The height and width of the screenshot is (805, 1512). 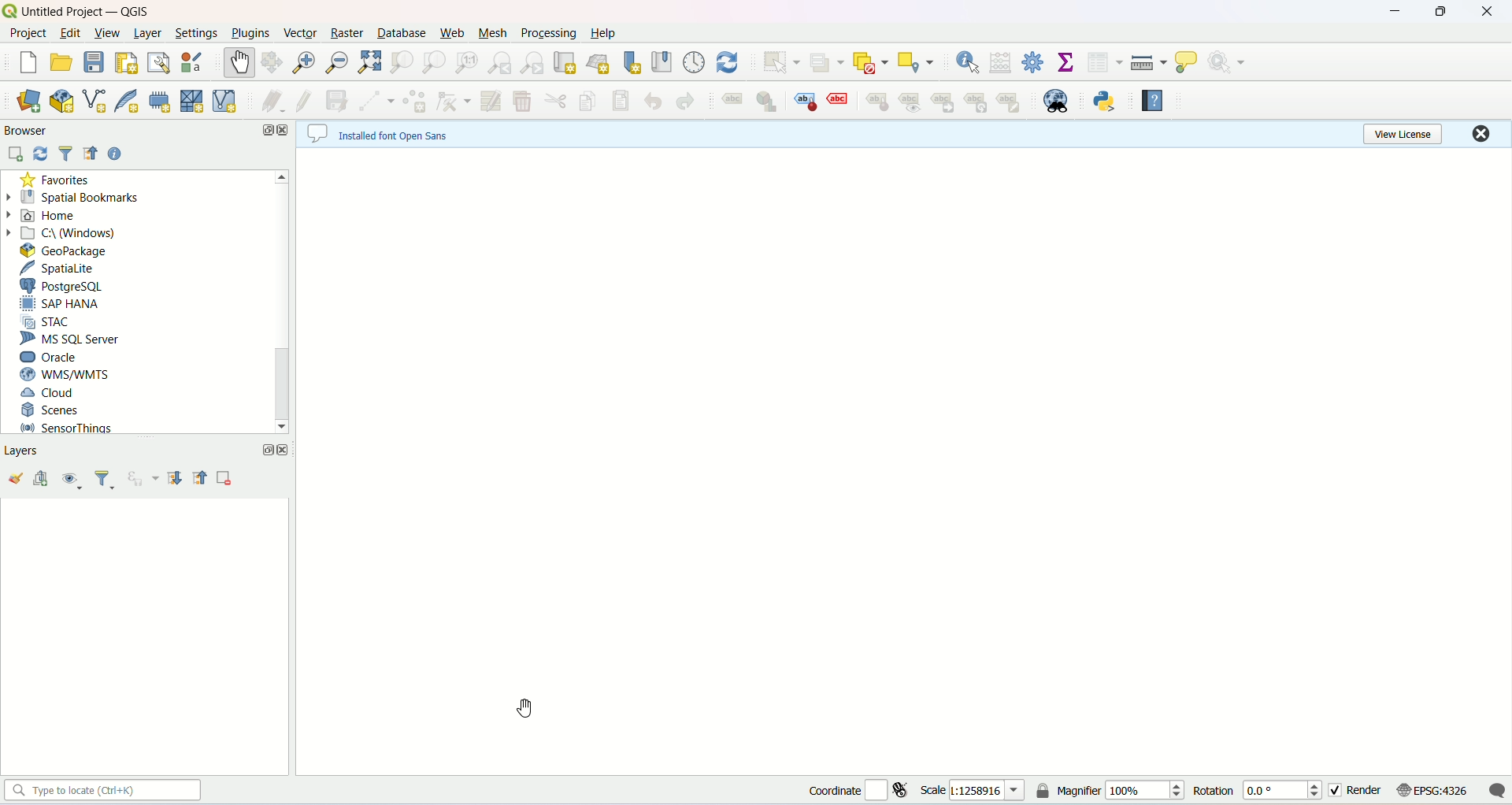 I want to click on modify atrributes, so click(x=489, y=102).